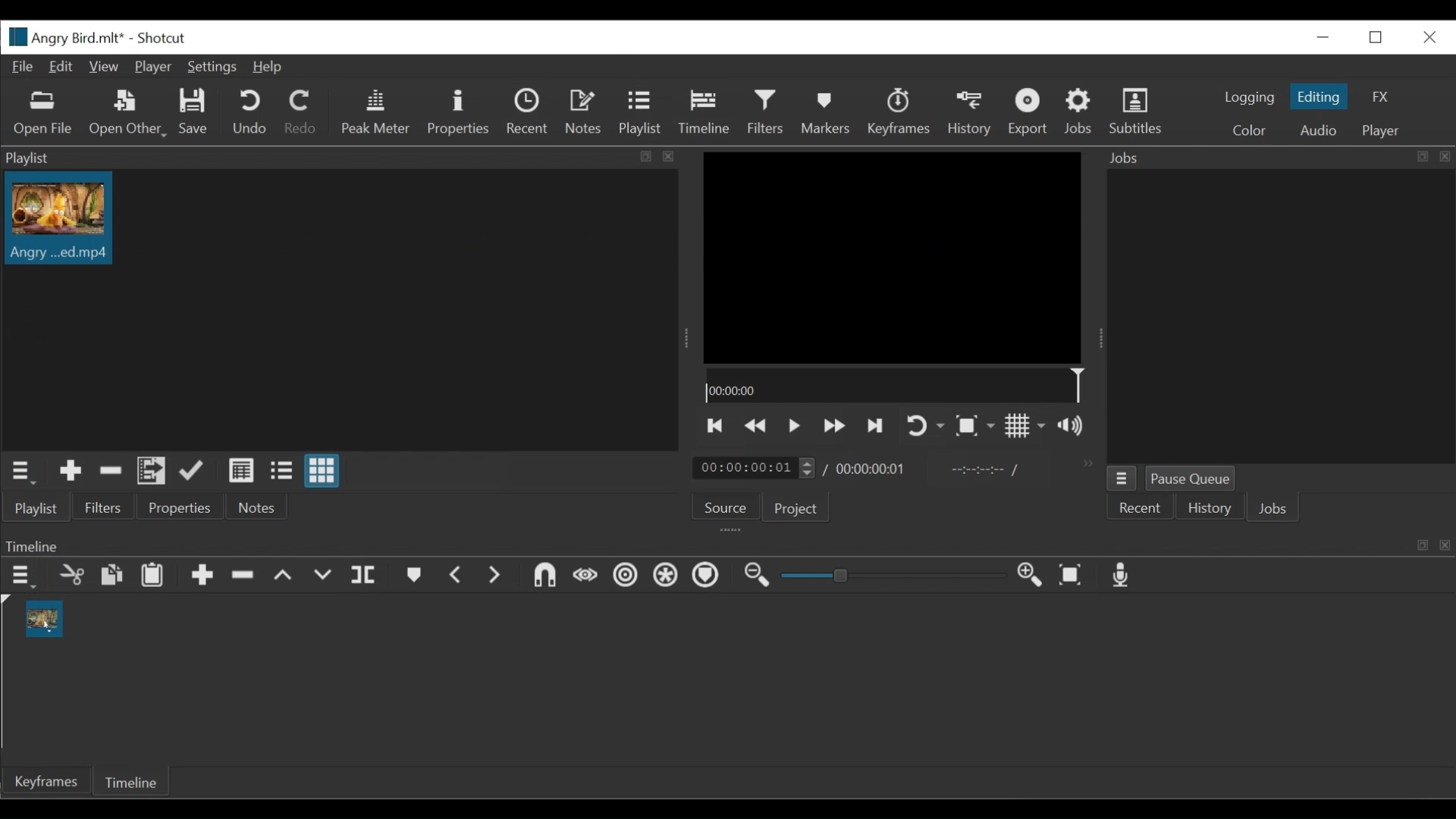  I want to click on Playlist, so click(39, 510).